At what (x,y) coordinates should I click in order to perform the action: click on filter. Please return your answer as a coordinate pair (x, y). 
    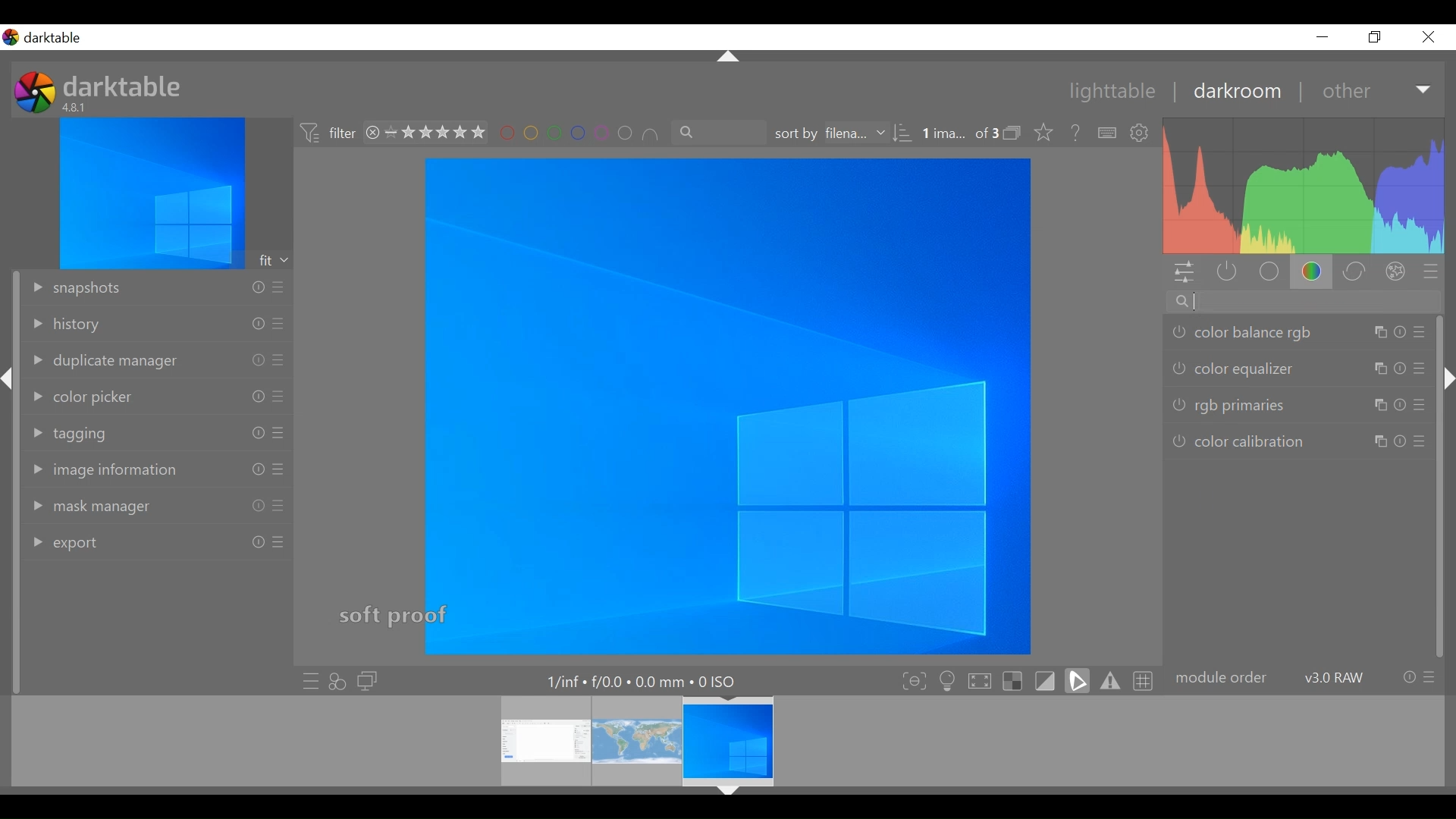
    Looking at the image, I should click on (326, 134).